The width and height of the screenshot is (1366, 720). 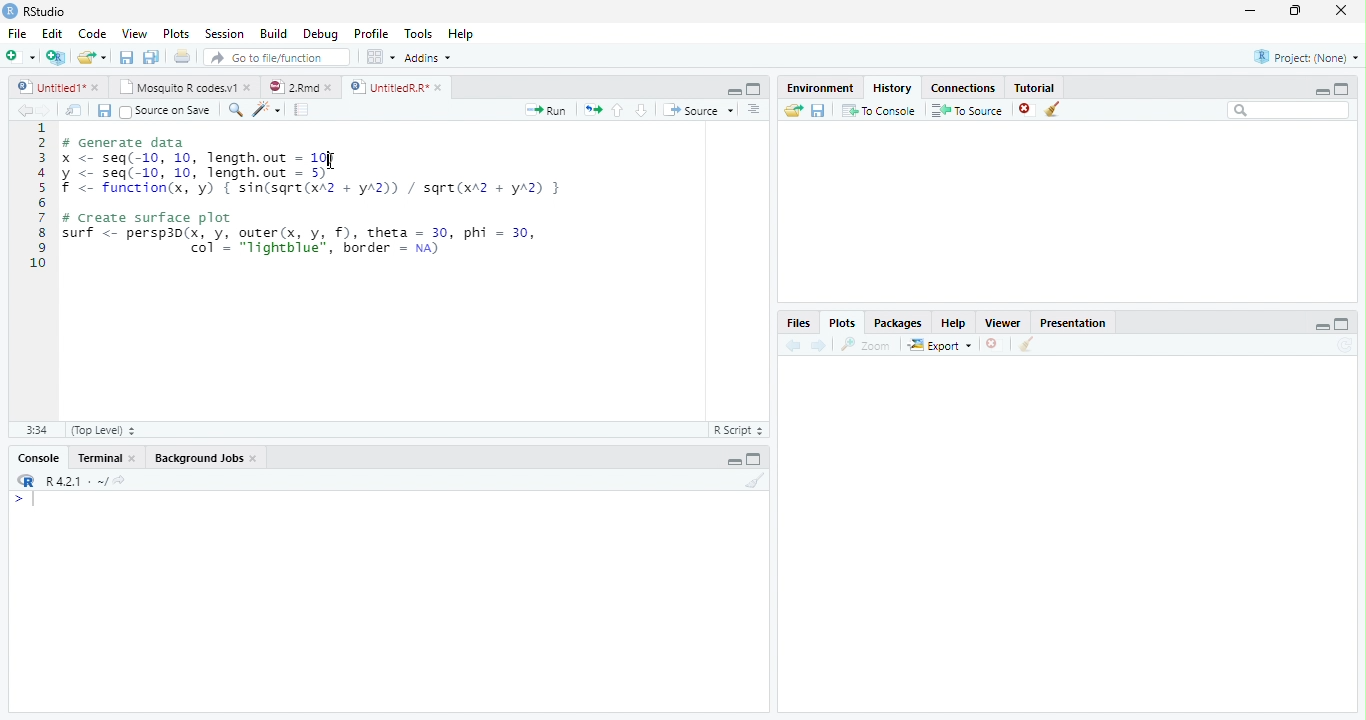 I want to click on RStudio, so click(x=34, y=11).